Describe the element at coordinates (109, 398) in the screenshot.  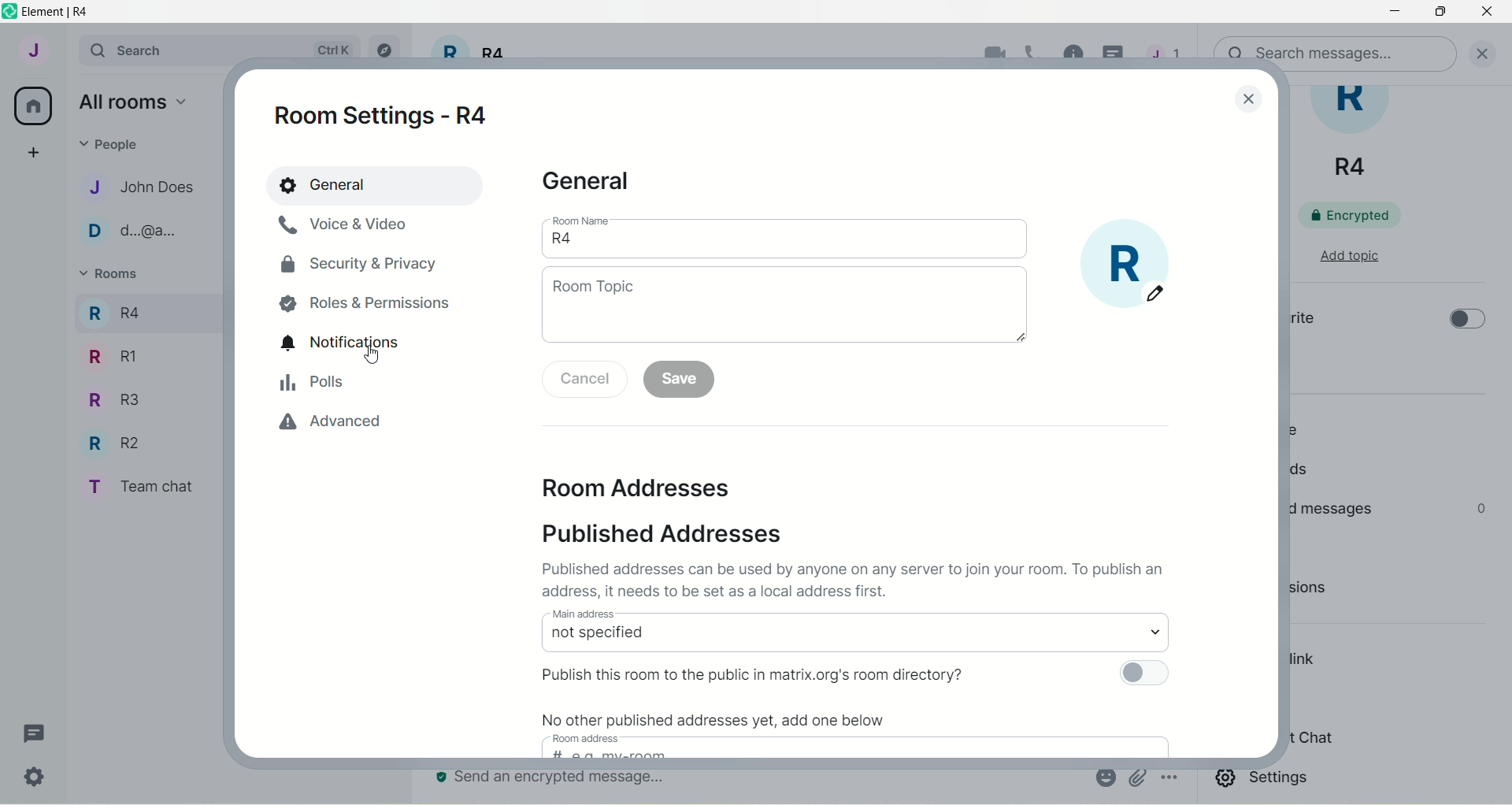
I see `R R3` at that location.